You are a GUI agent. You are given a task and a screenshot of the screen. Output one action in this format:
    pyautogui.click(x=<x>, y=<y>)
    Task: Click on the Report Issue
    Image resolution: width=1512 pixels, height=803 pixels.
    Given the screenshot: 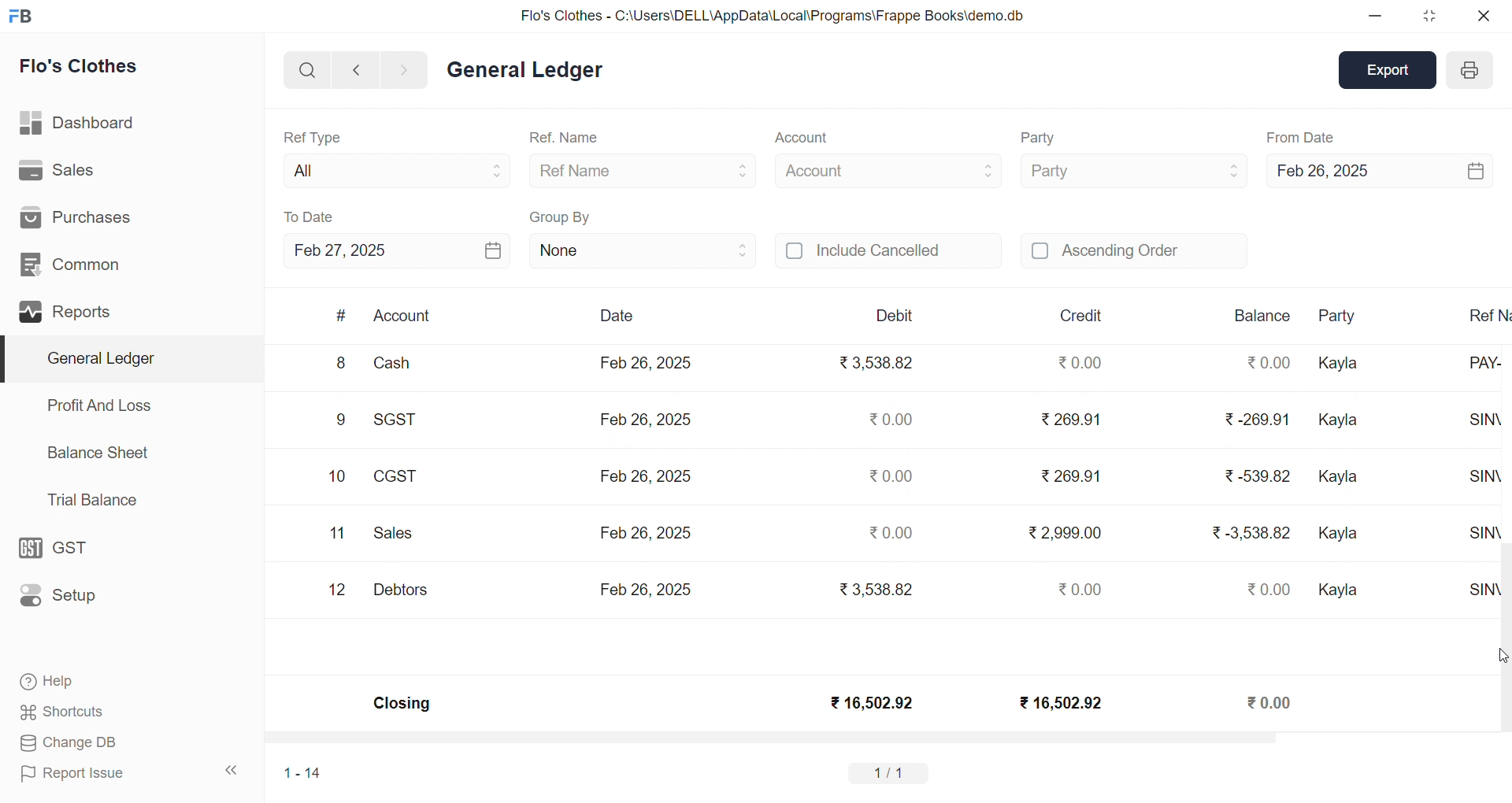 What is the action you would take?
    pyautogui.click(x=74, y=774)
    